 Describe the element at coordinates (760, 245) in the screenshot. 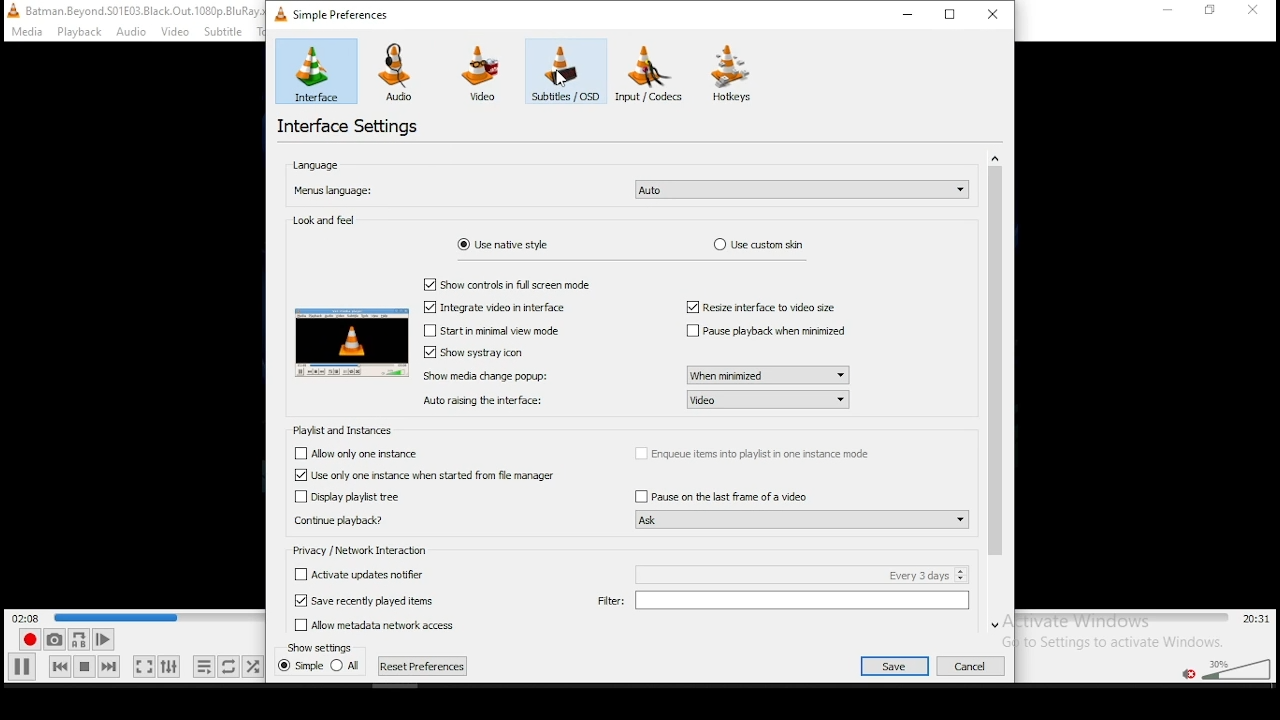

I see `use custom style` at that location.